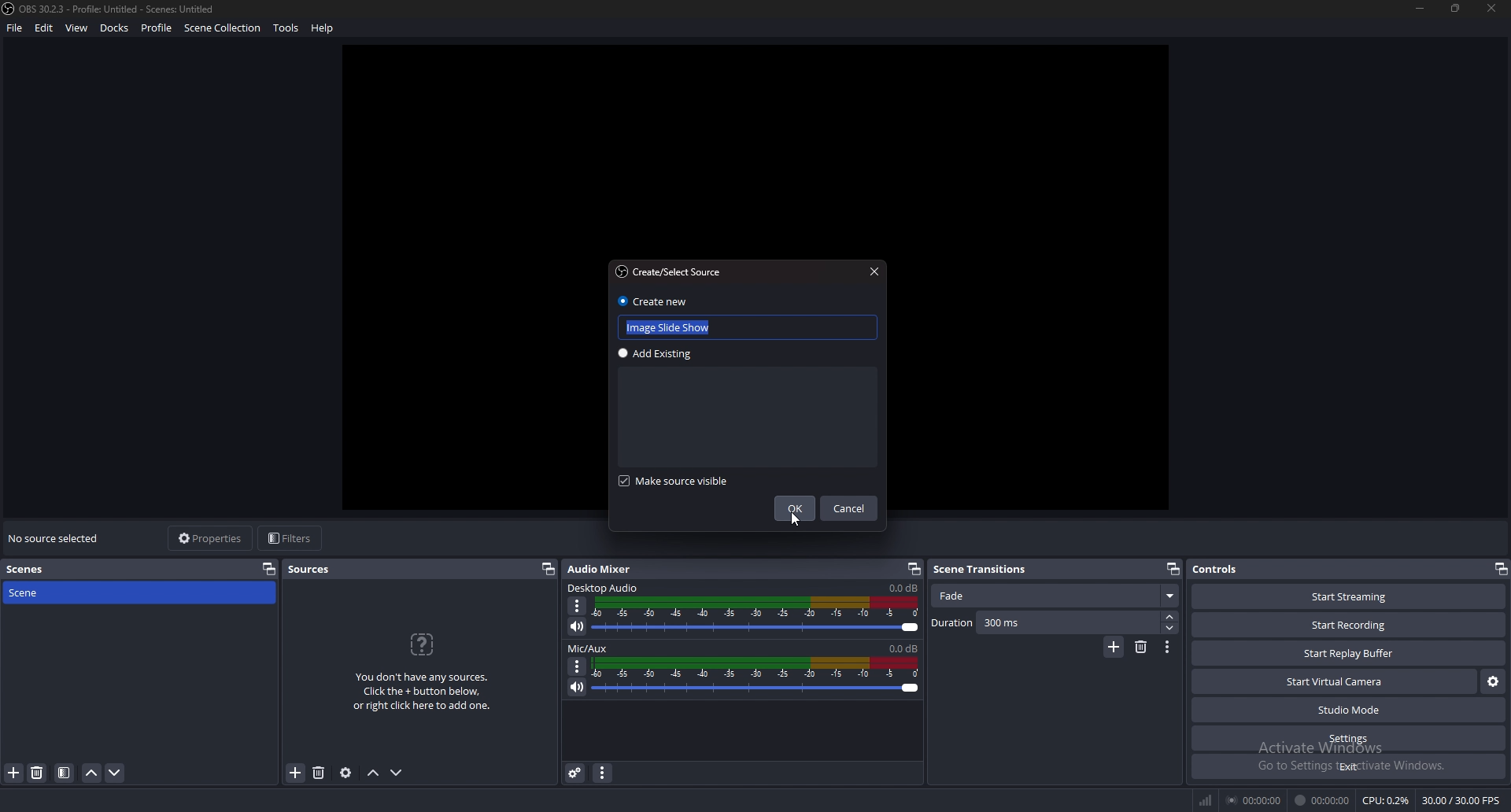  I want to click on start replay buffer, so click(1350, 653).